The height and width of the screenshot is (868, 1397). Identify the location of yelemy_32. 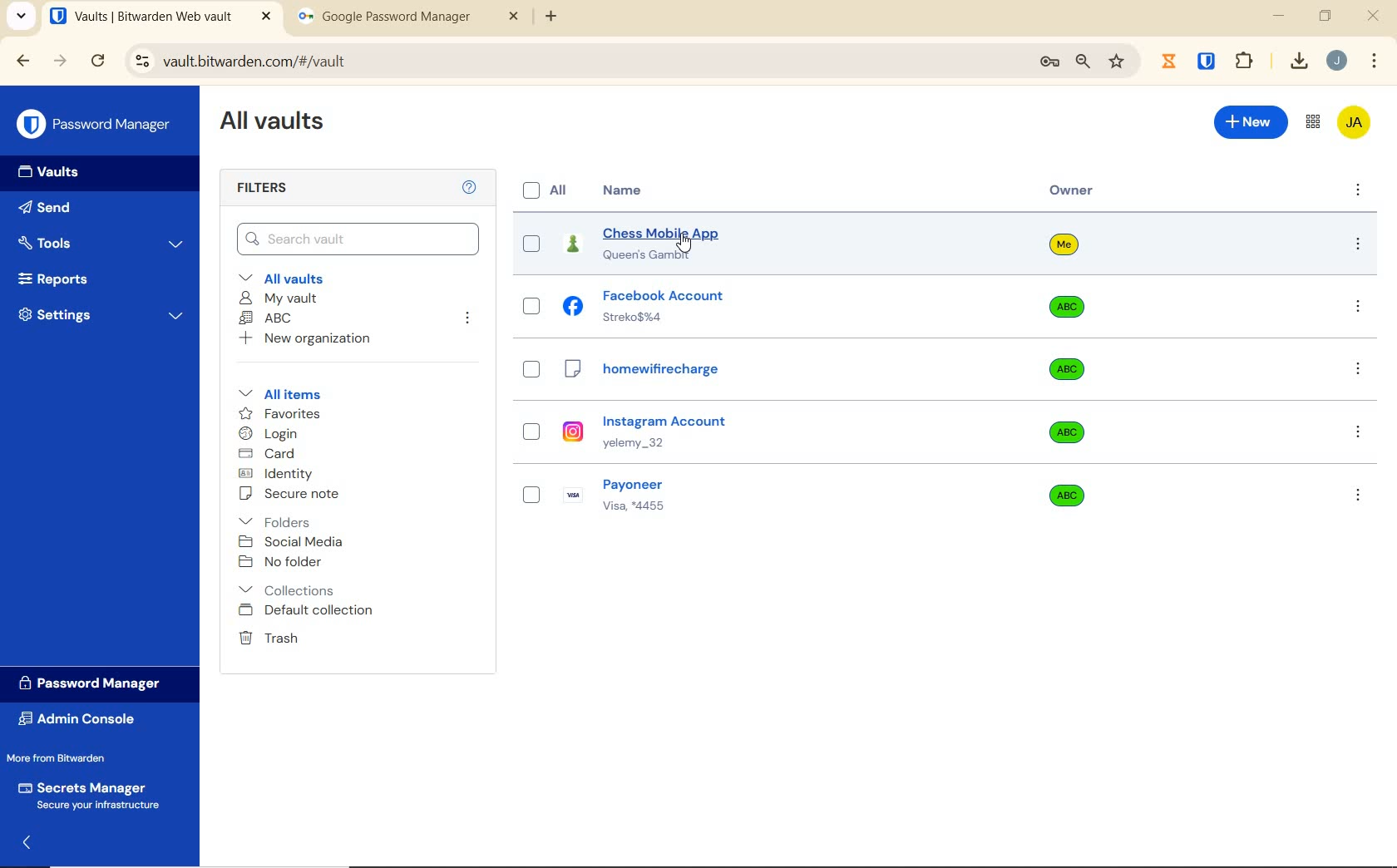
(649, 444).